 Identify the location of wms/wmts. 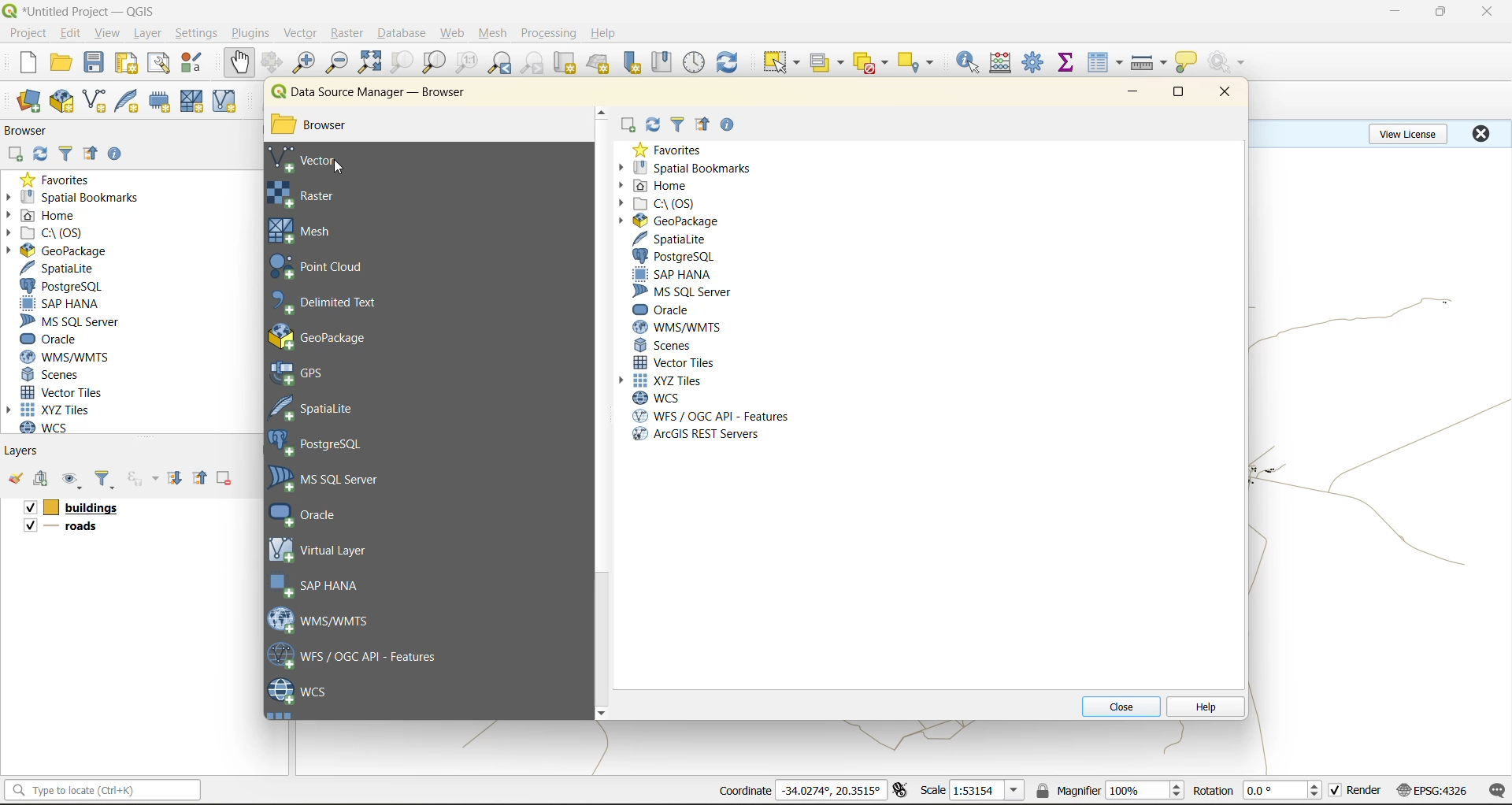
(327, 619).